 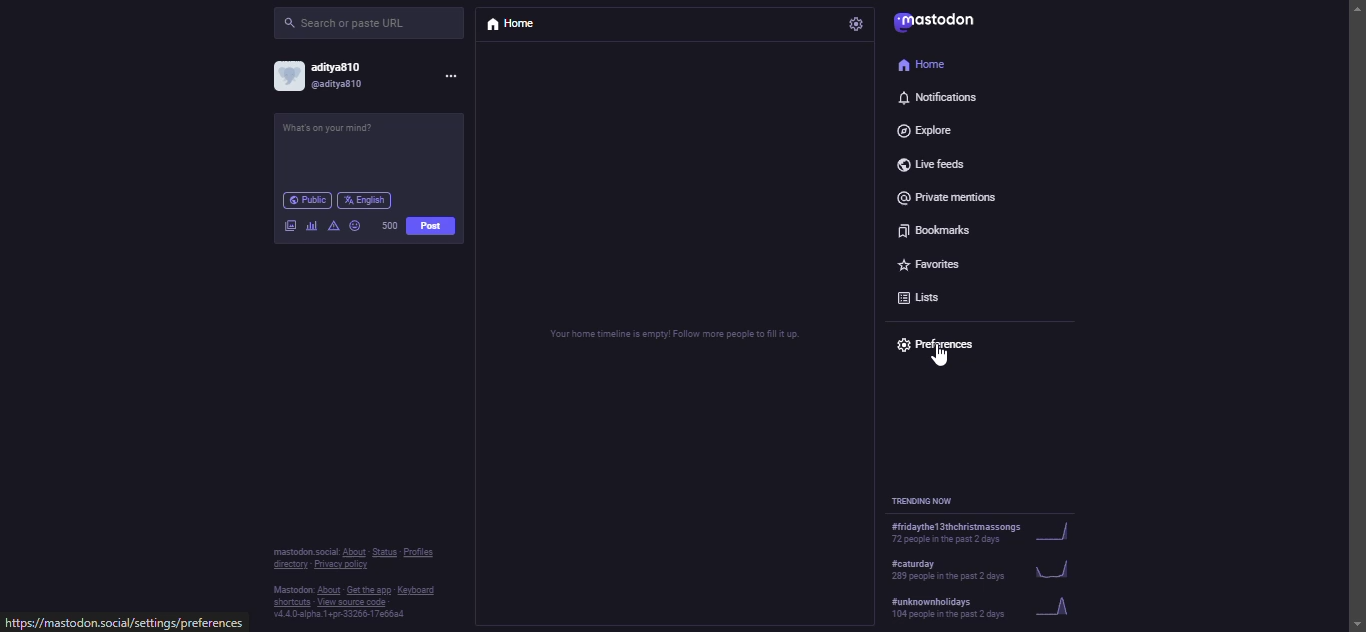 What do you see at coordinates (675, 335) in the screenshot?
I see `home timeline` at bounding box center [675, 335].